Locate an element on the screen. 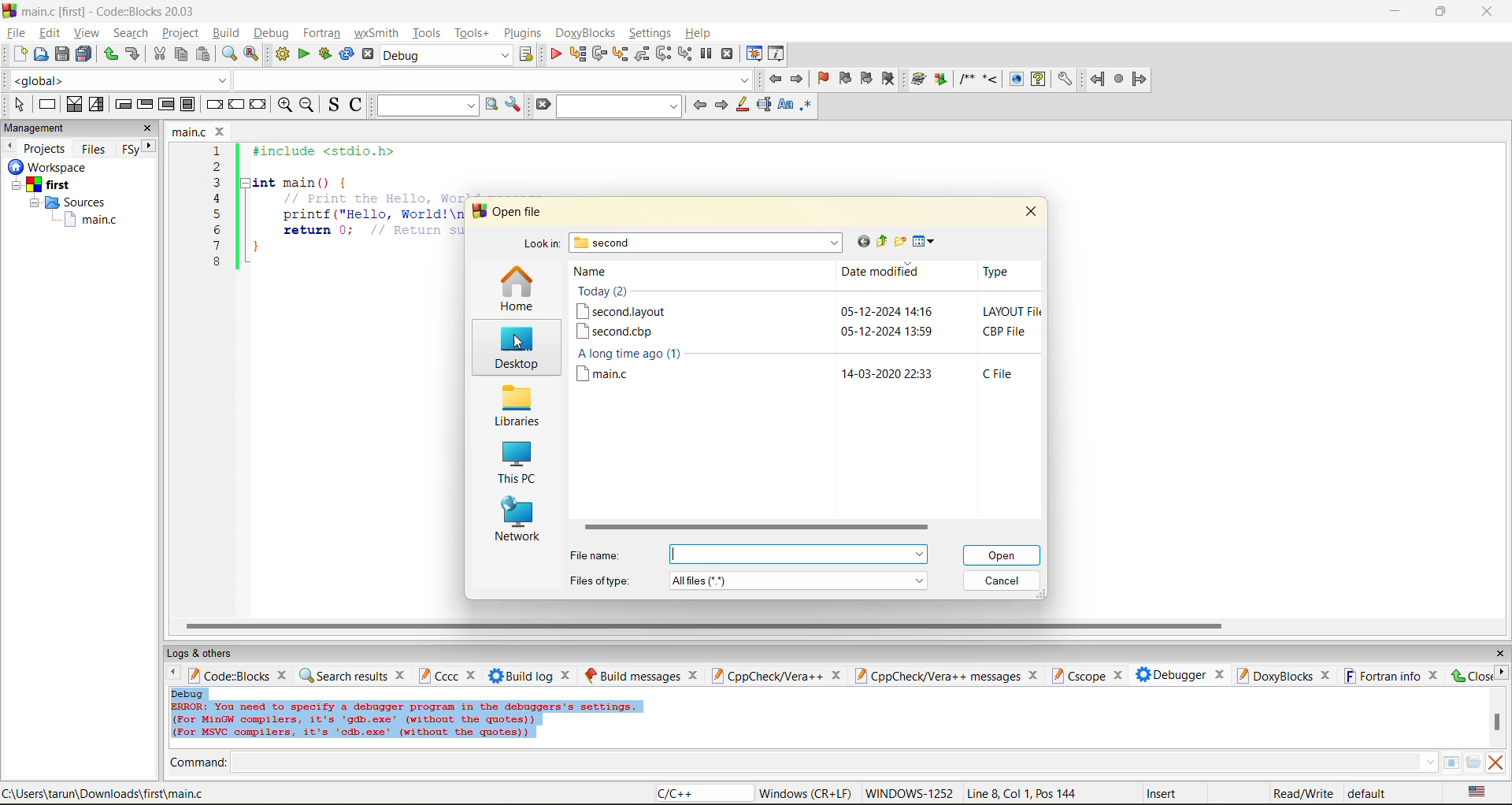 This screenshot has height=805, width=1512. comment is located at coordinates (966, 79).